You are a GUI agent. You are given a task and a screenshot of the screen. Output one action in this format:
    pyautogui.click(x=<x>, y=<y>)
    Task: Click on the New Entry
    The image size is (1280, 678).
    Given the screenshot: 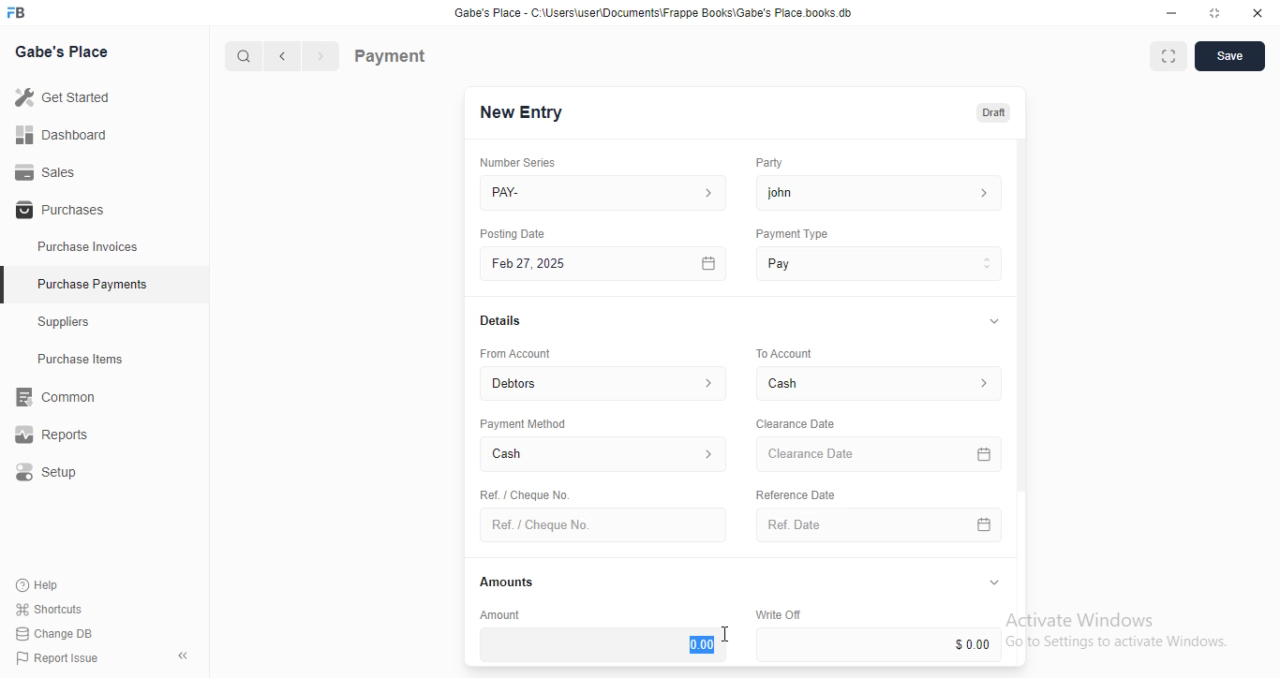 What is the action you would take?
    pyautogui.click(x=522, y=113)
    